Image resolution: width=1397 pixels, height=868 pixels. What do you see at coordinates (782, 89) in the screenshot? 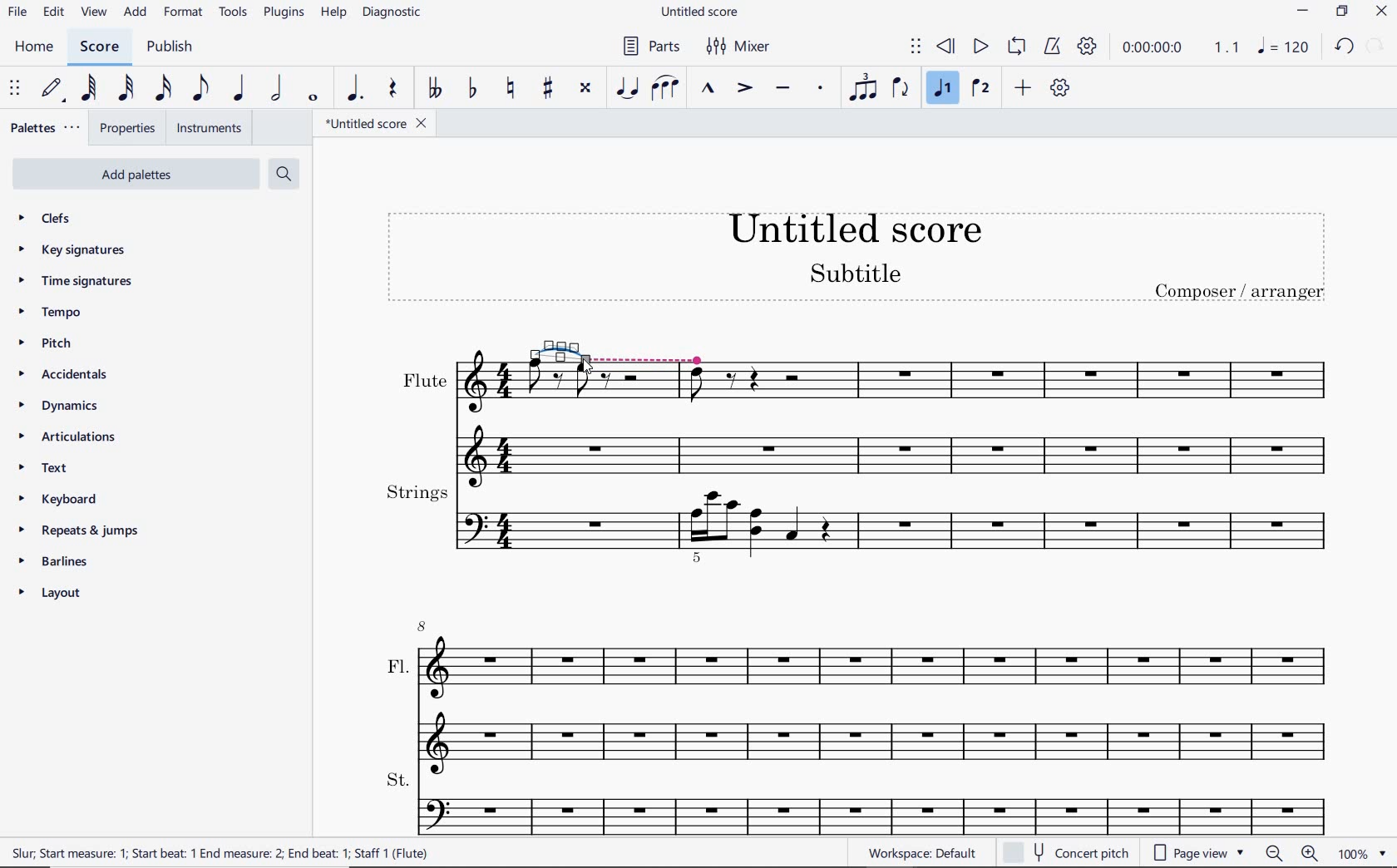
I see `TENUTO` at bounding box center [782, 89].